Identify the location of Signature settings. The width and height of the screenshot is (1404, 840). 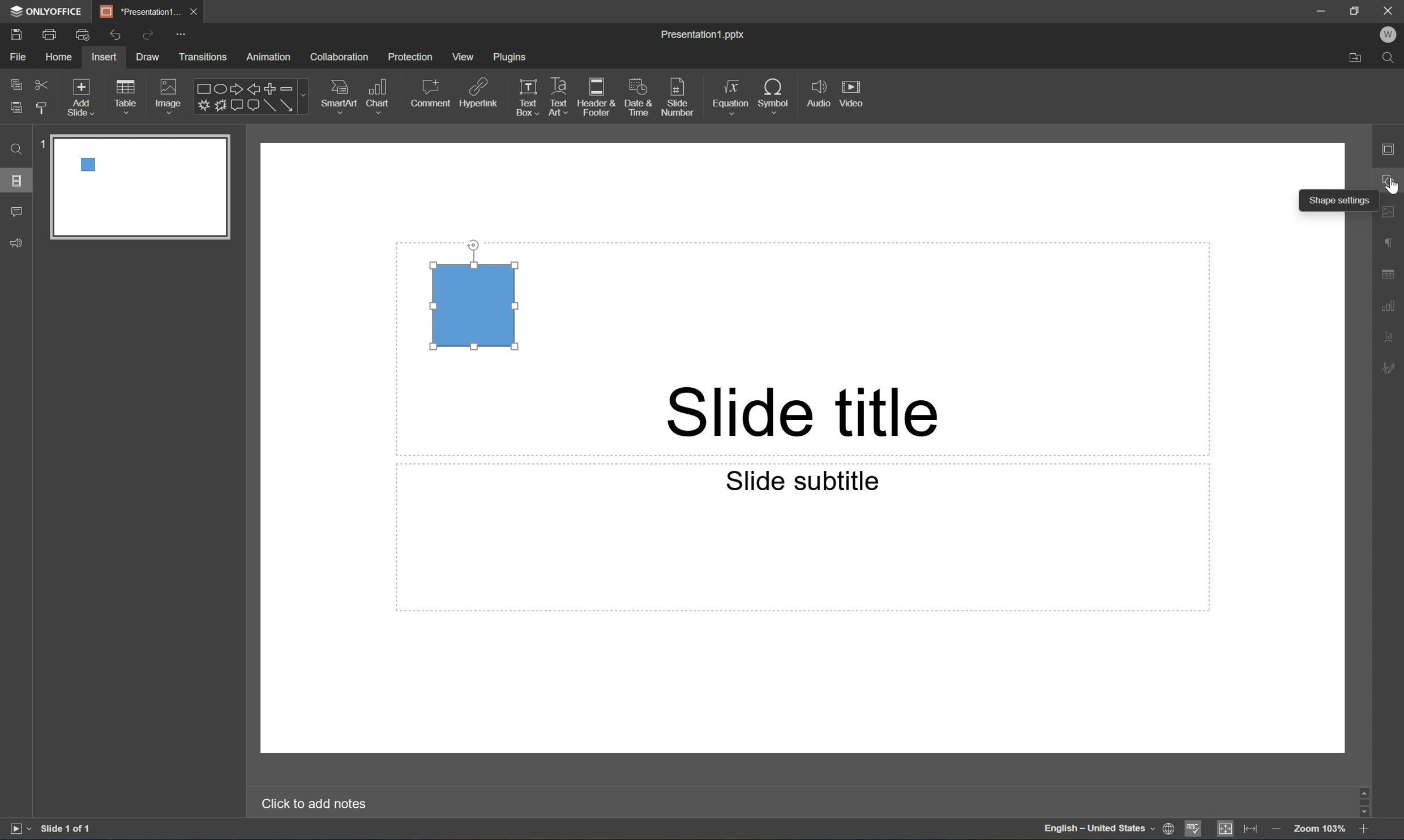
(1391, 368).